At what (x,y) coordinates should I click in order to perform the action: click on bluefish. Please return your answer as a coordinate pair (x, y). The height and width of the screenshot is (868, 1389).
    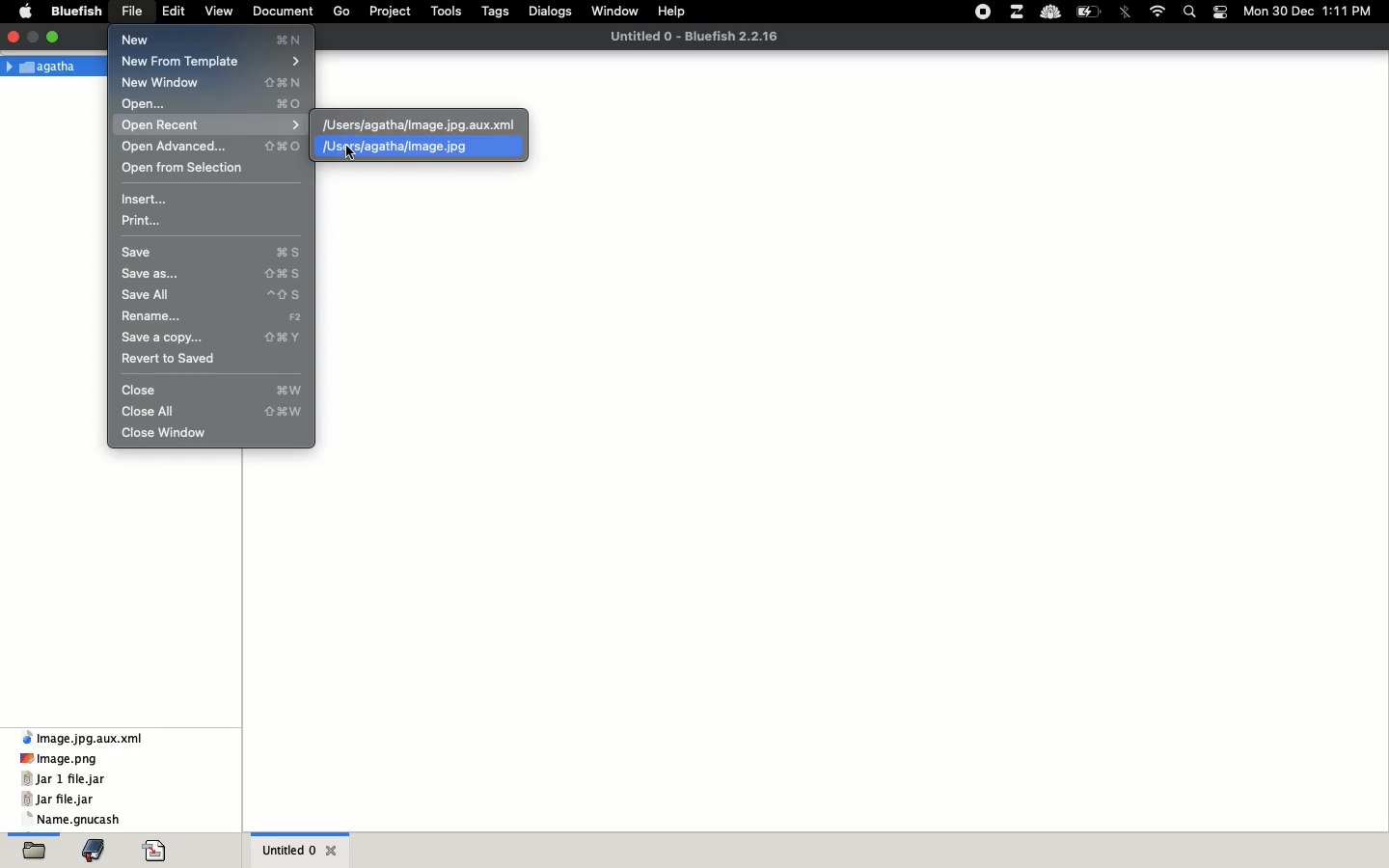
    Looking at the image, I should click on (76, 10).